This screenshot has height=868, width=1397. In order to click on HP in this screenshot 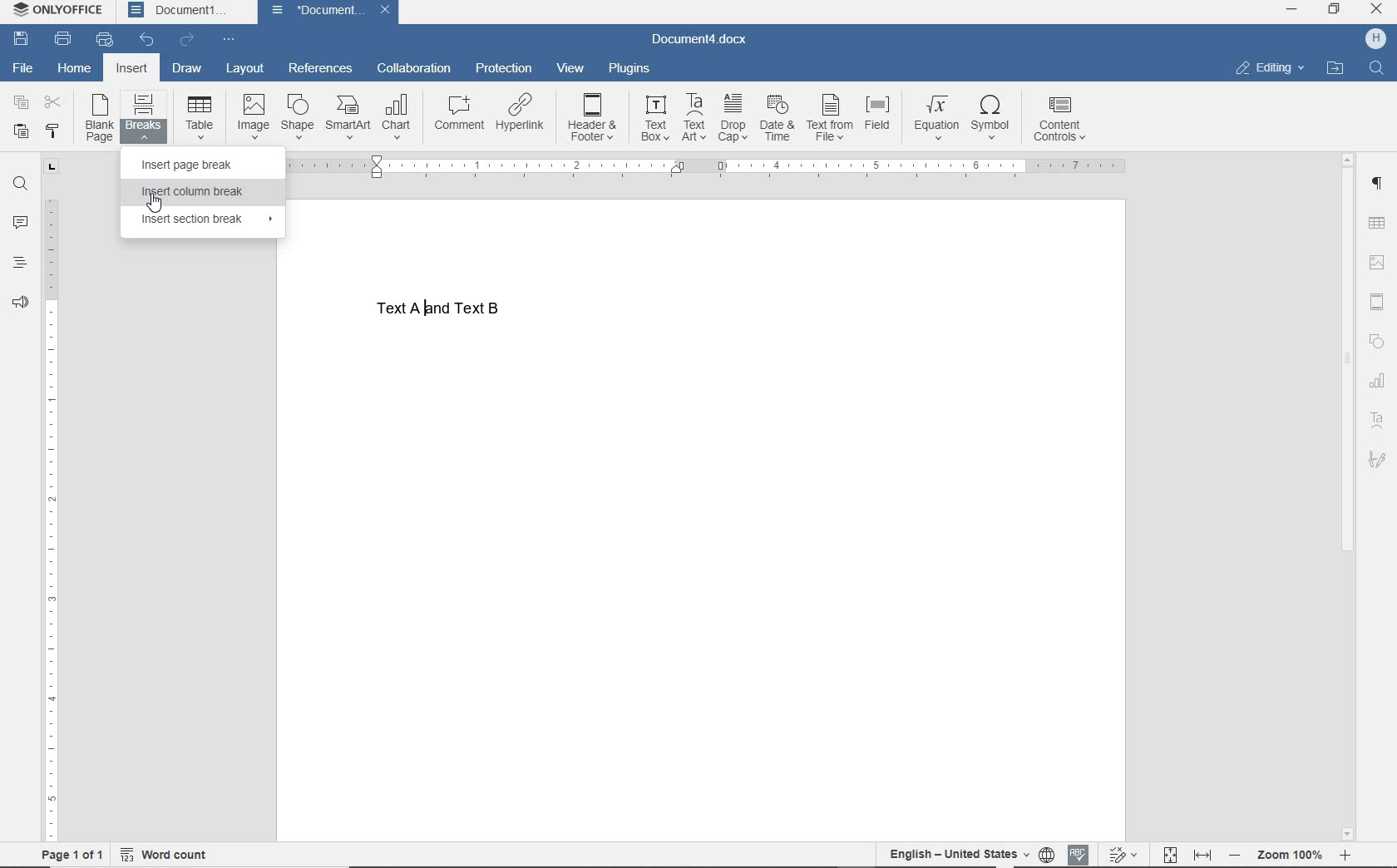, I will do `click(1375, 40)`.